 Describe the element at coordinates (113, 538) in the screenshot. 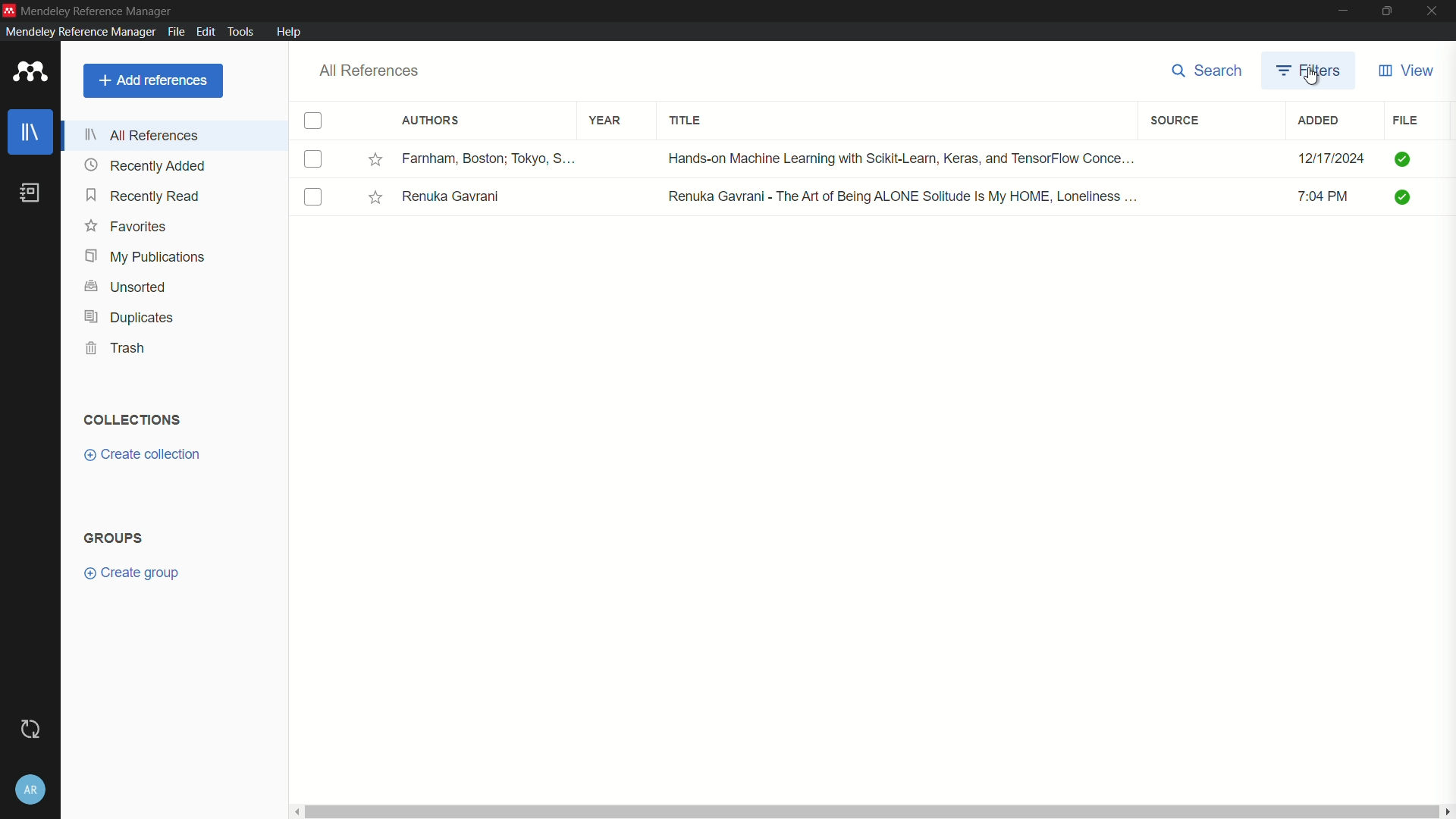

I see `groups` at that location.